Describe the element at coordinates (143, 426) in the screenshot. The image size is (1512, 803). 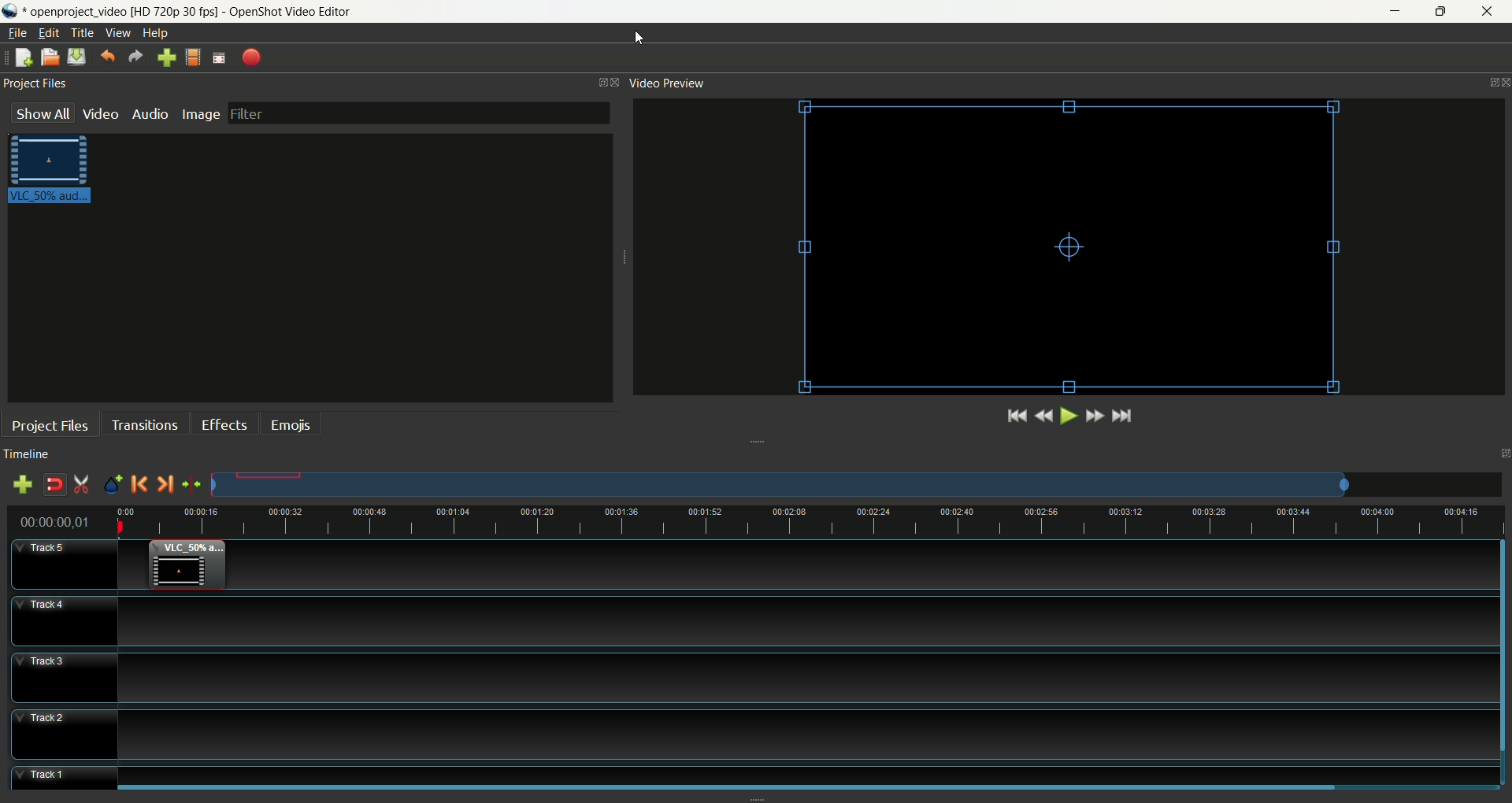
I see `transitions` at that location.